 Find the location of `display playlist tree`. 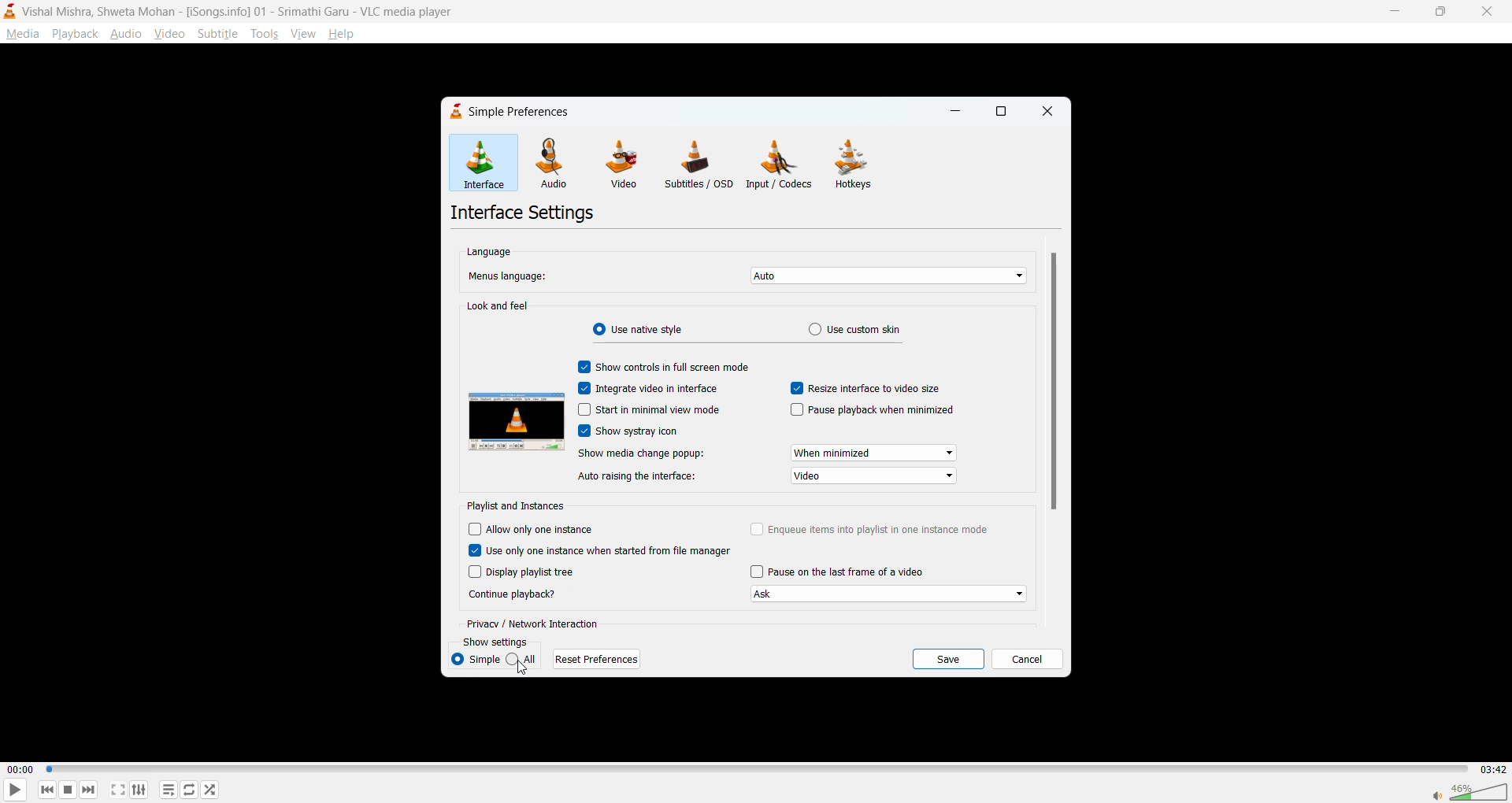

display playlist tree is located at coordinates (534, 571).